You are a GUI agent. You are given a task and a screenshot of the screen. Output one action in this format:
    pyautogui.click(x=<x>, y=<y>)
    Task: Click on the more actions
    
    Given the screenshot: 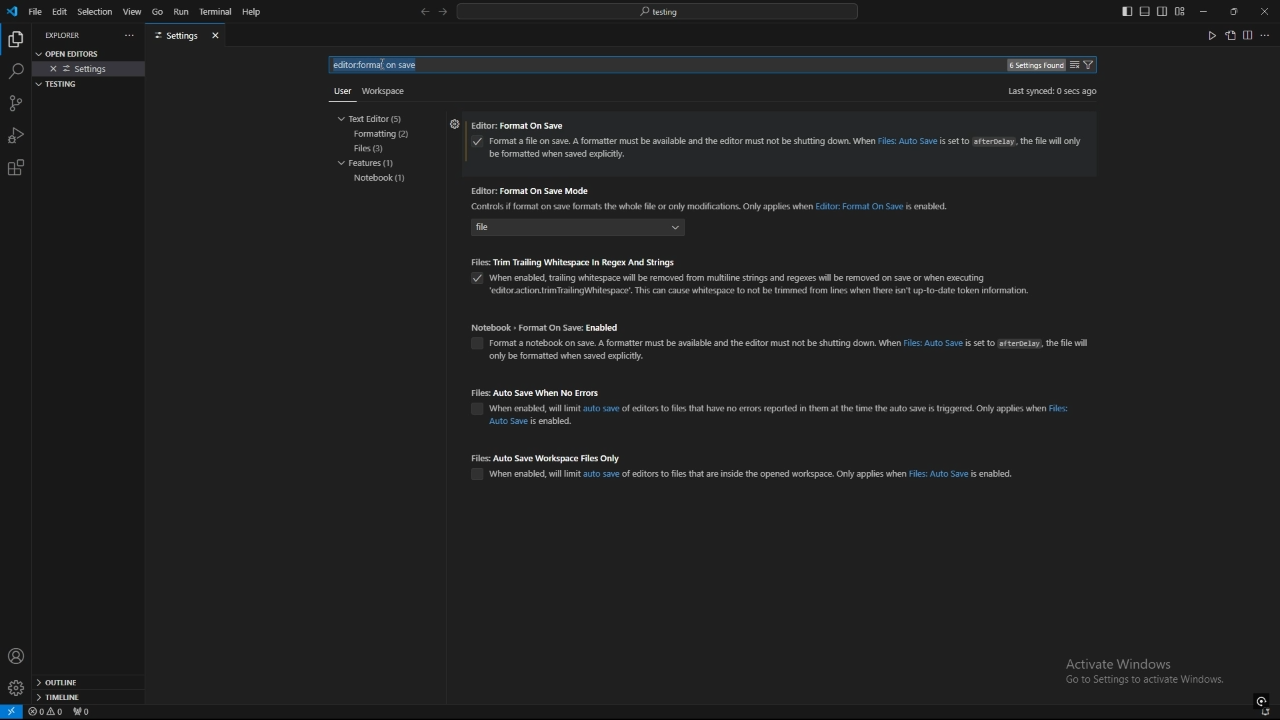 What is the action you would take?
    pyautogui.click(x=1266, y=35)
    